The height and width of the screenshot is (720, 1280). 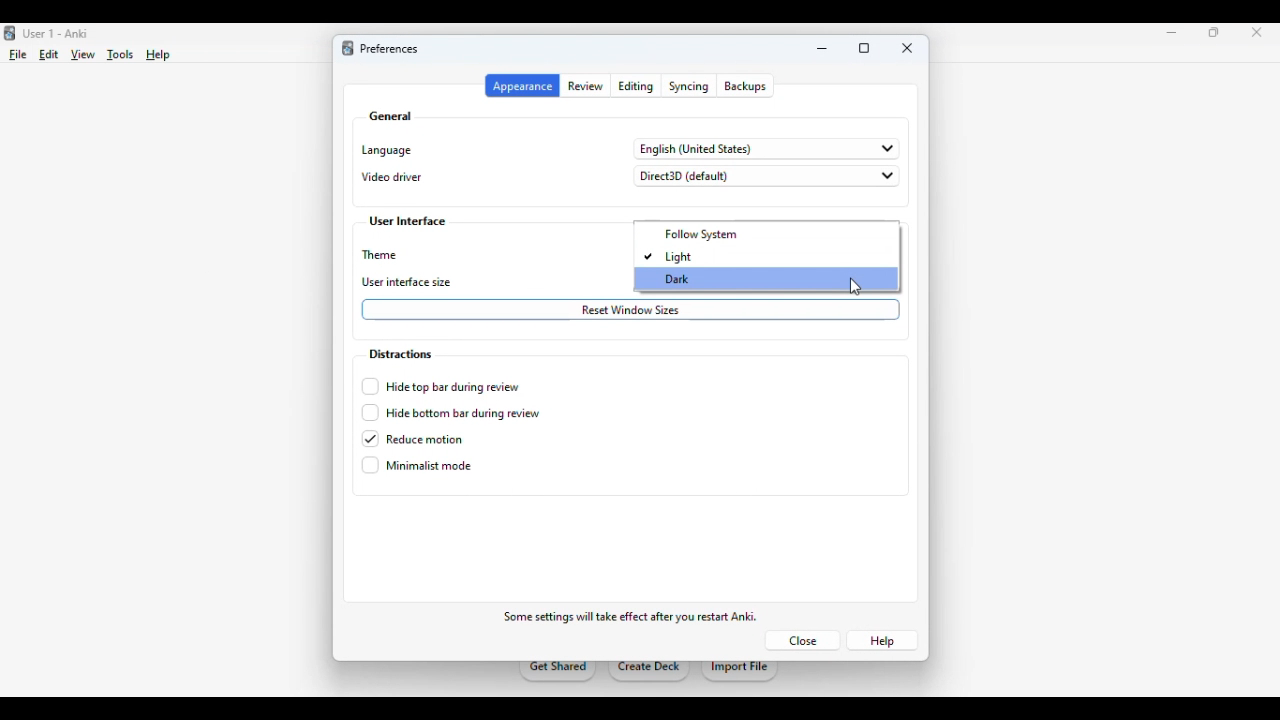 I want to click on hide bottom bar during review, so click(x=450, y=413).